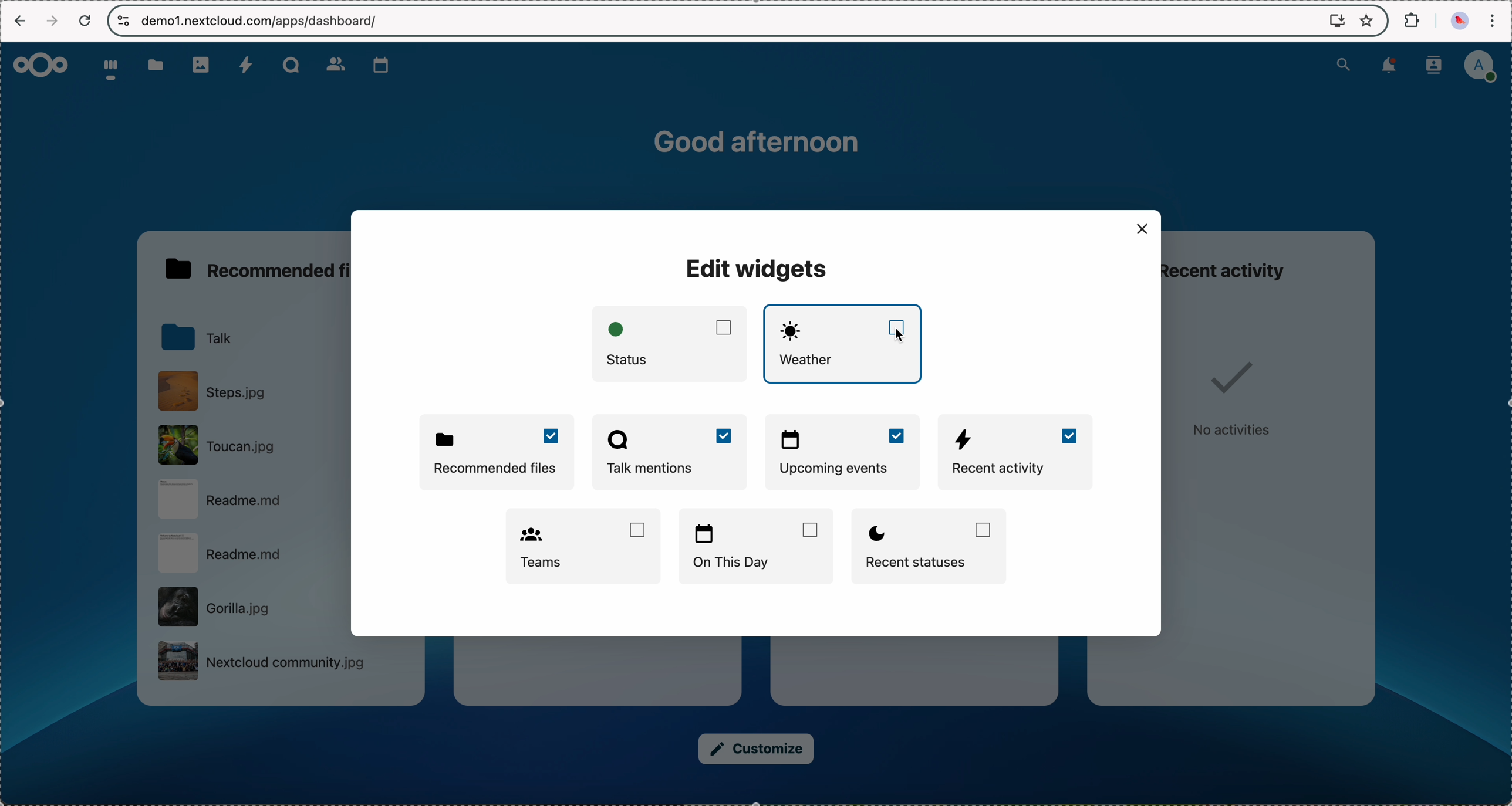 This screenshot has width=1512, height=806. I want to click on recent activity, so click(1241, 265).